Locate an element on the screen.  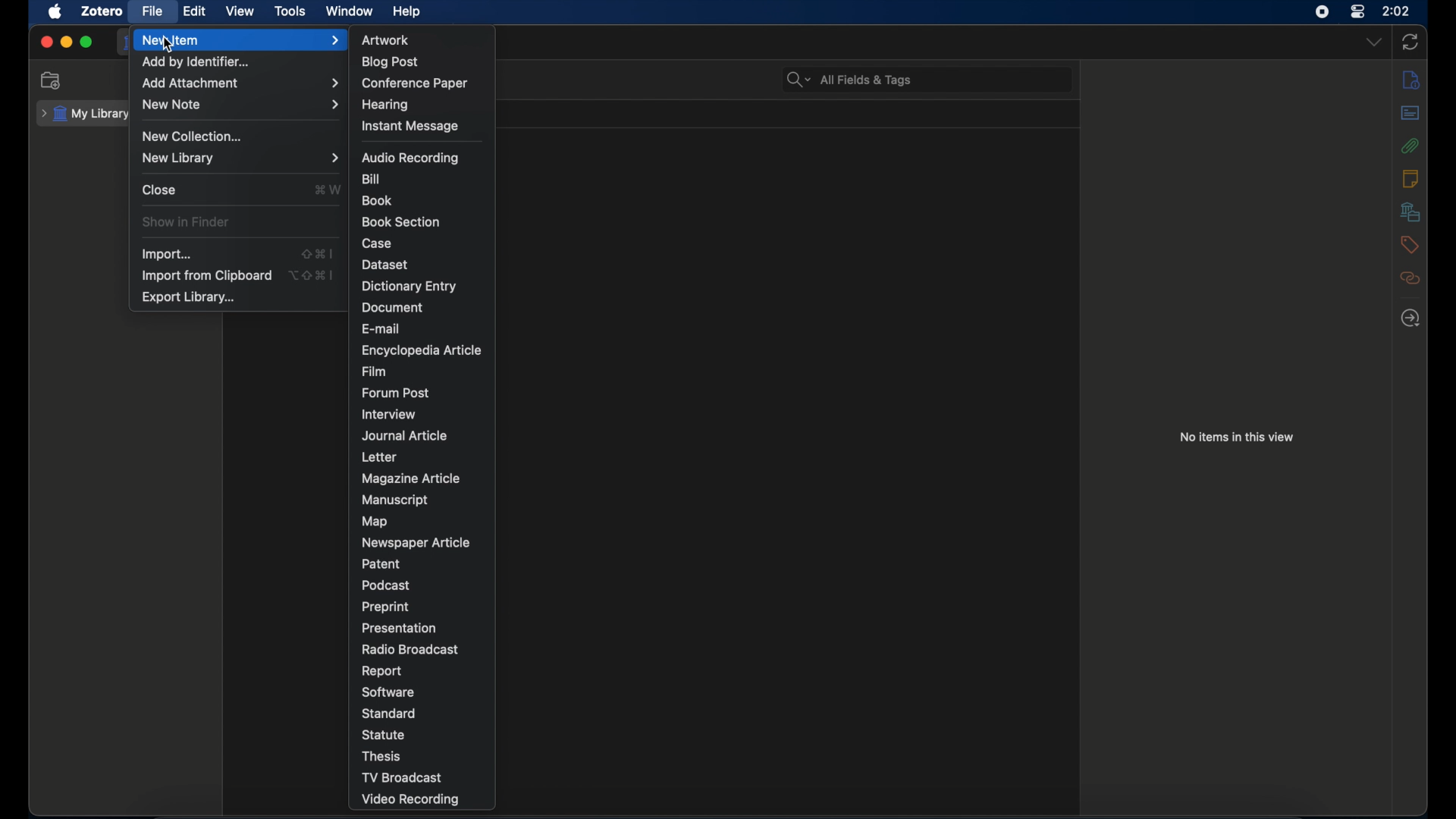
radio broadcast is located at coordinates (409, 649).